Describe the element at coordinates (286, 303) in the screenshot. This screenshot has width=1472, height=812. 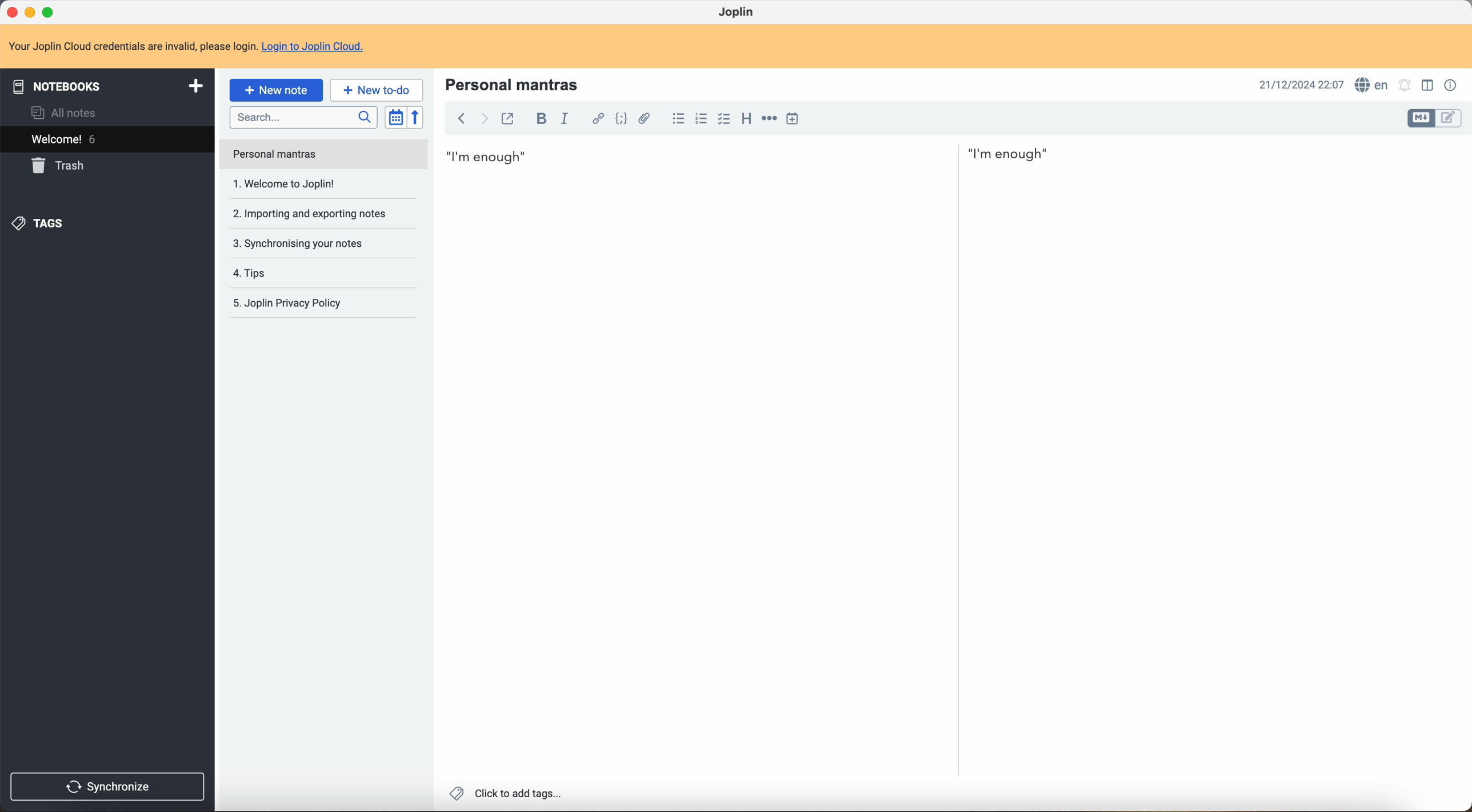
I see `Joplin privacy p olicy` at that location.